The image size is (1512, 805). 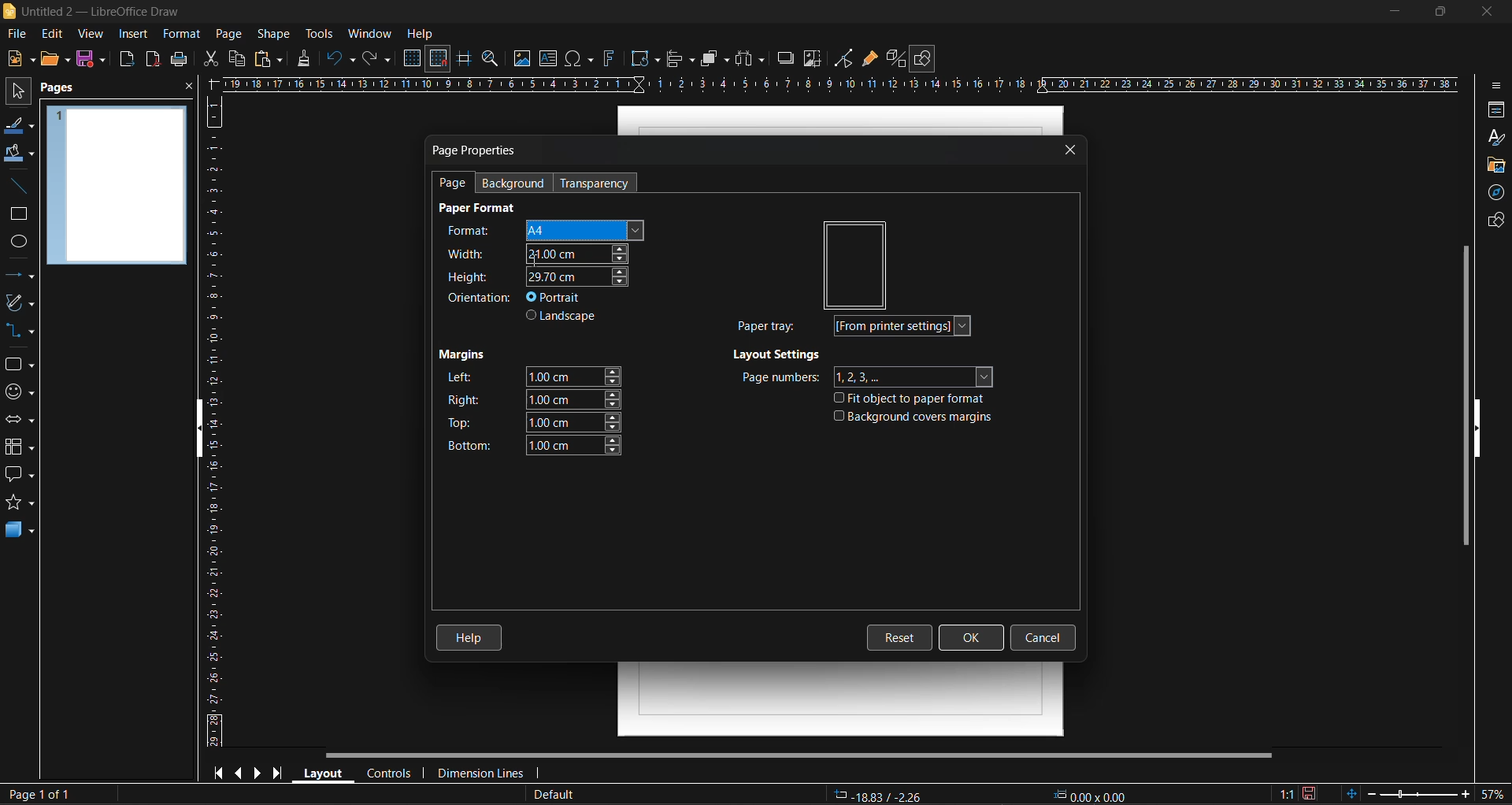 What do you see at coordinates (187, 88) in the screenshot?
I see `close` at bounding box center [187, 88].